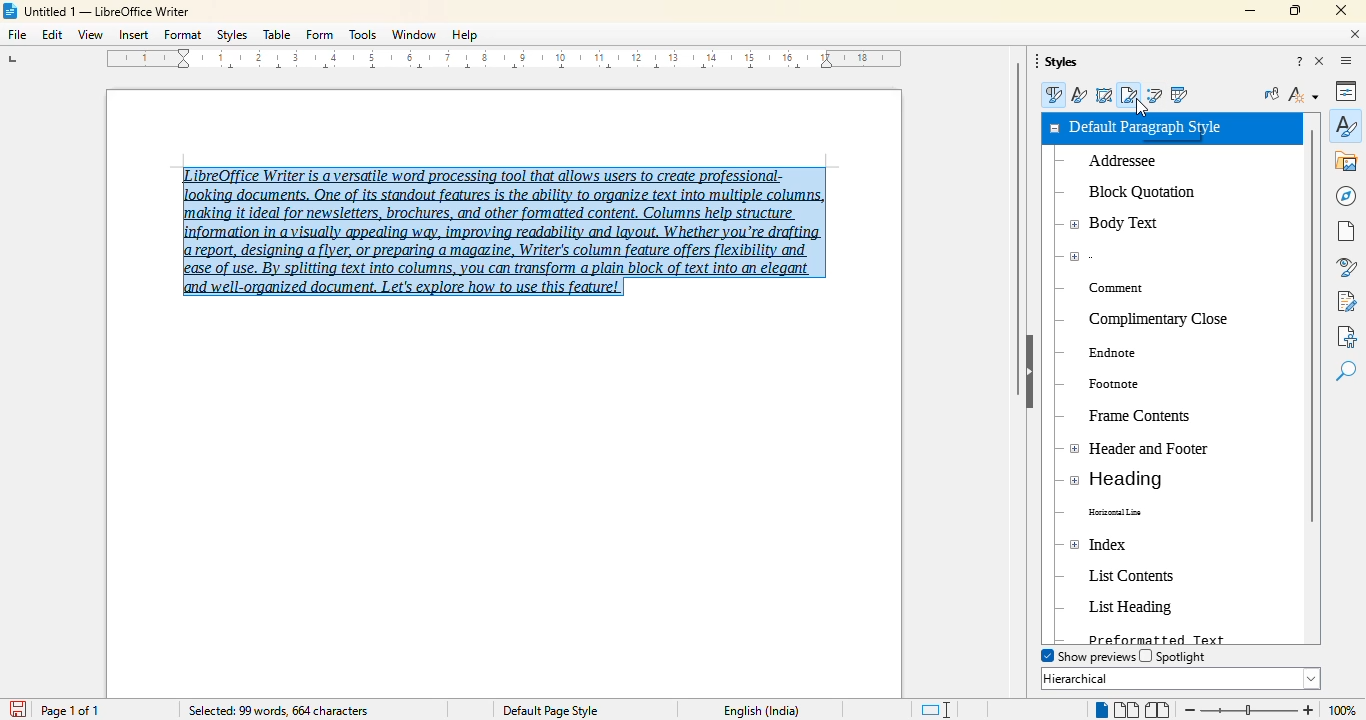 The height and width of the screenshot is (720, 1366). What do you see at coordinates (1019, 228) in the screenshot?
I see `vertical scroll bar` at bounding box center [1019, 228].